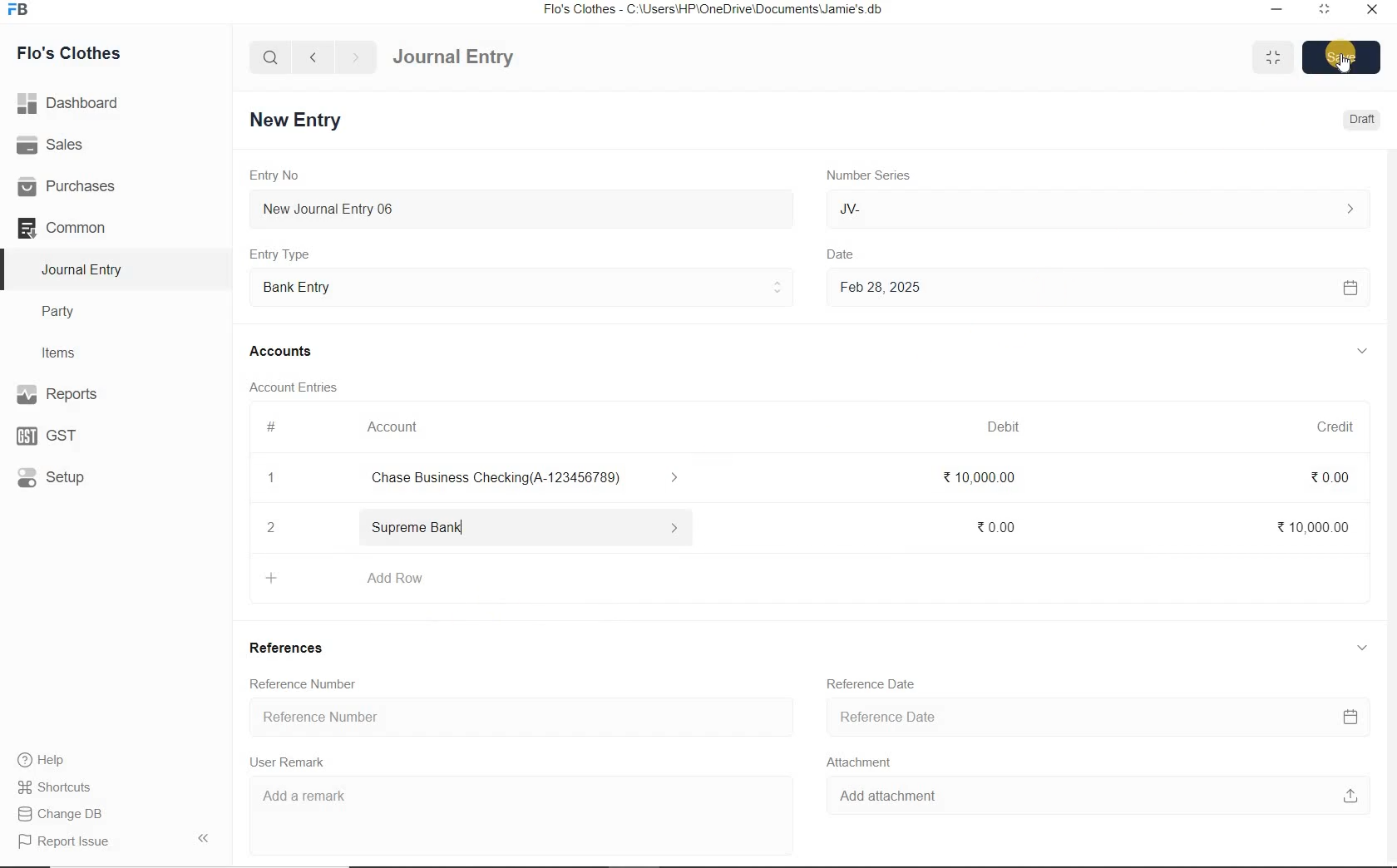 Image resolution: width=1397 pixels, height=868 pixels. I want to click on Common, so click(81, 227).